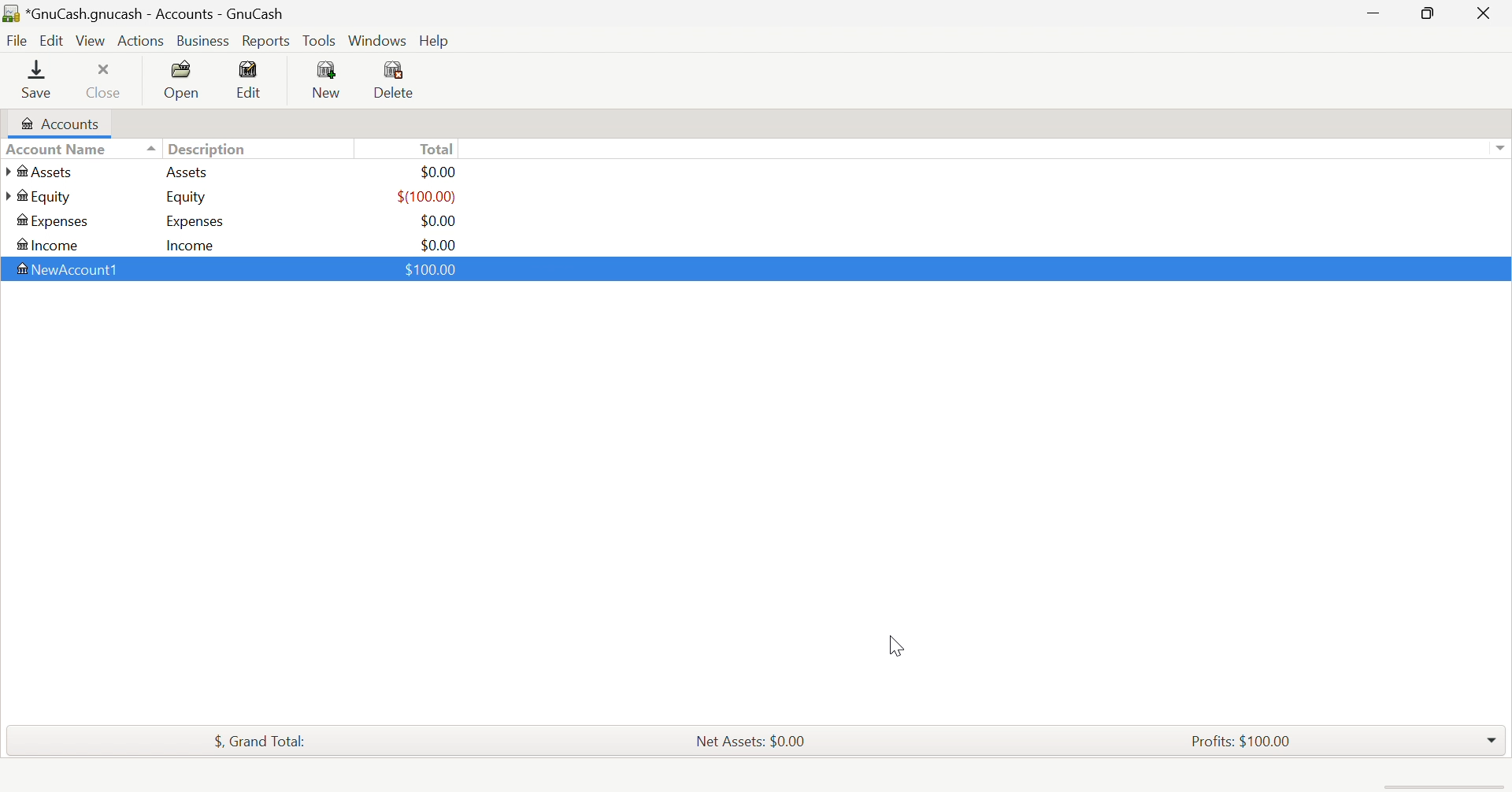  Describe the element at coordinates (193, 172) in the screenshot. I see `Assets` at that location.